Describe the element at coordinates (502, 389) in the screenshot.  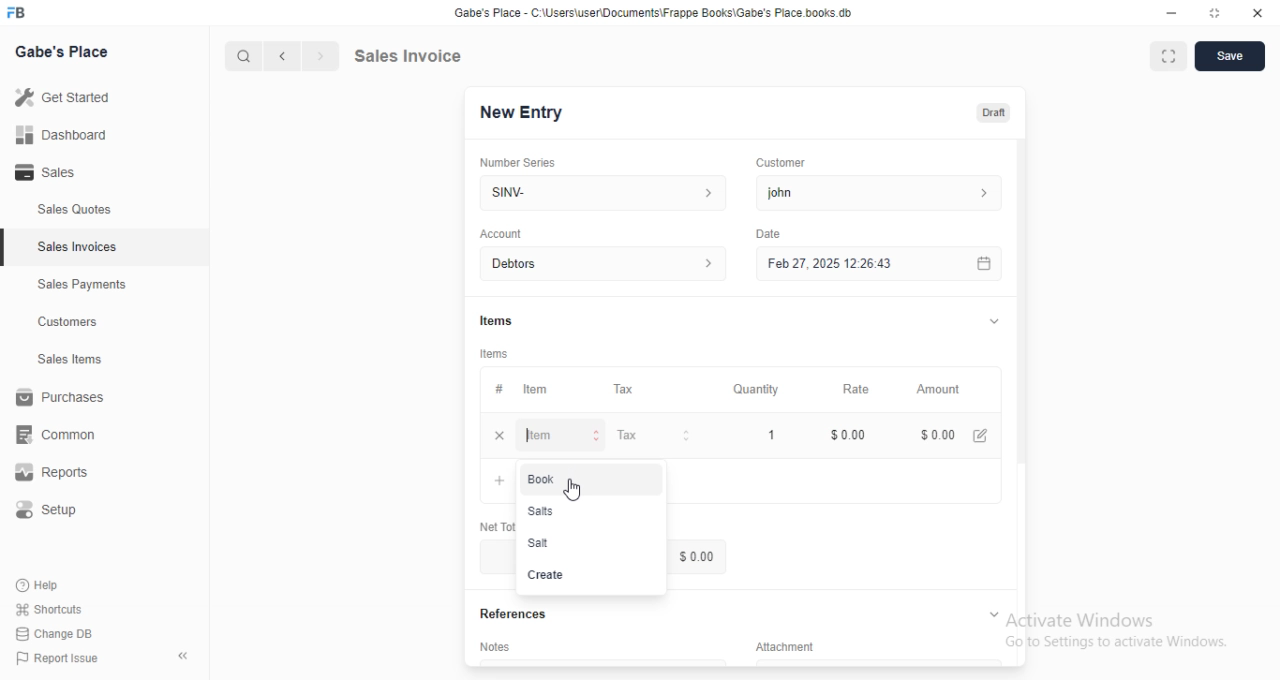
I see `#` at that location.